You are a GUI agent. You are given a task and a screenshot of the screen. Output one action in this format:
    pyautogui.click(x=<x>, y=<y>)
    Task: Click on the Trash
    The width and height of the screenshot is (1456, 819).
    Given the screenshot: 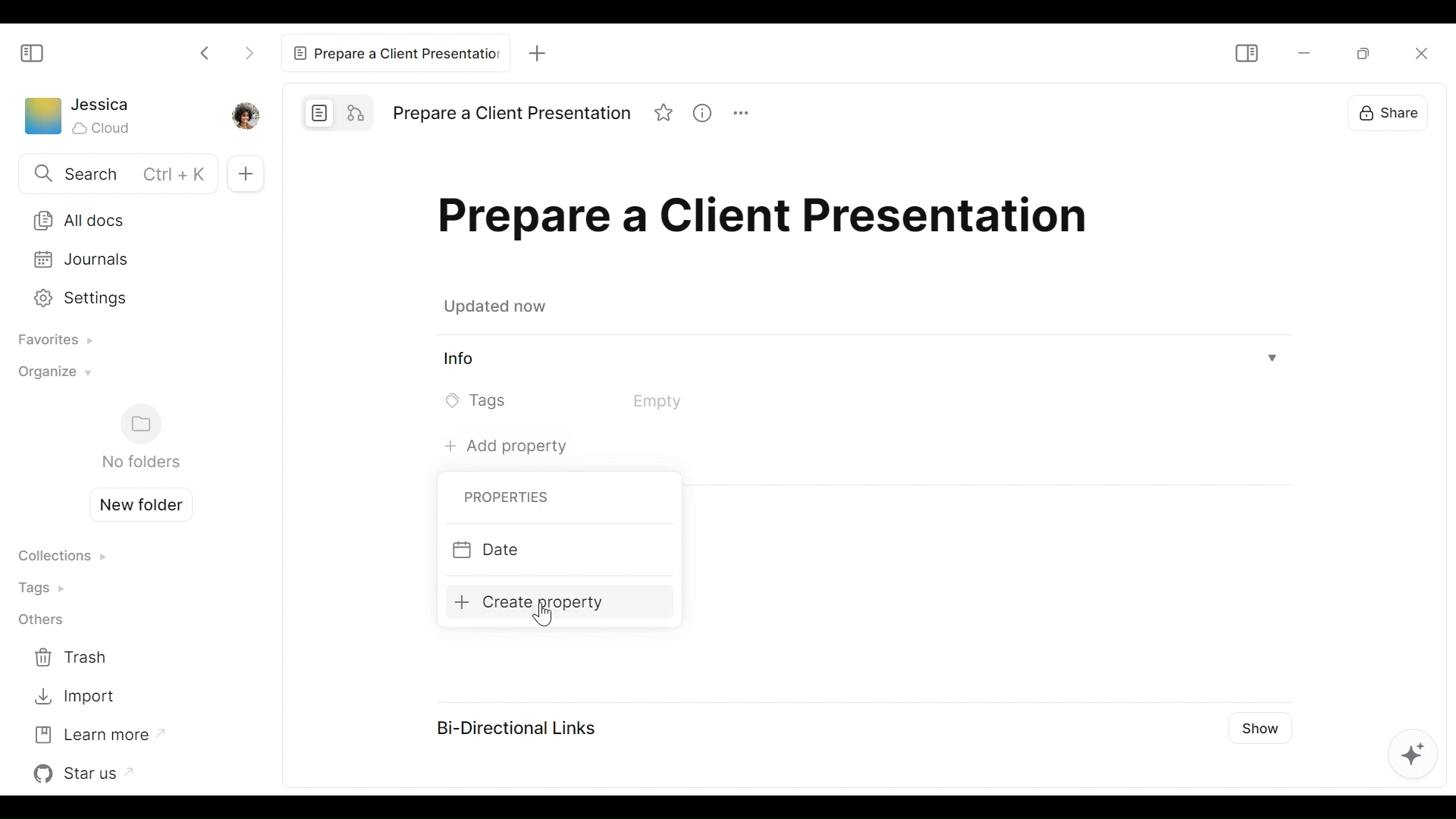 What is the action you would take?
    pyautogui.click(x=74, y=658)
    